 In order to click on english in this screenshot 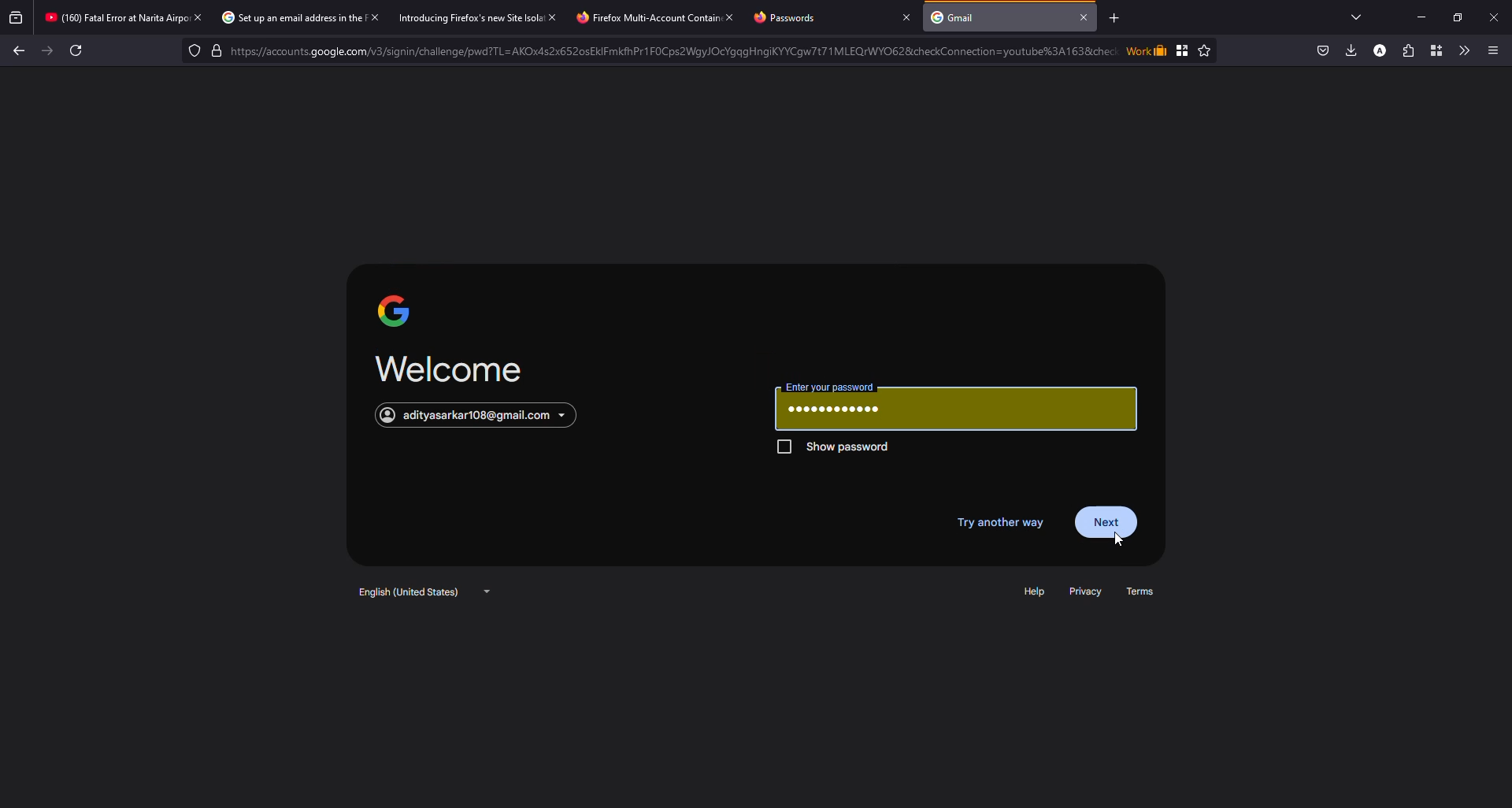, I will do `click(422, 599)`.